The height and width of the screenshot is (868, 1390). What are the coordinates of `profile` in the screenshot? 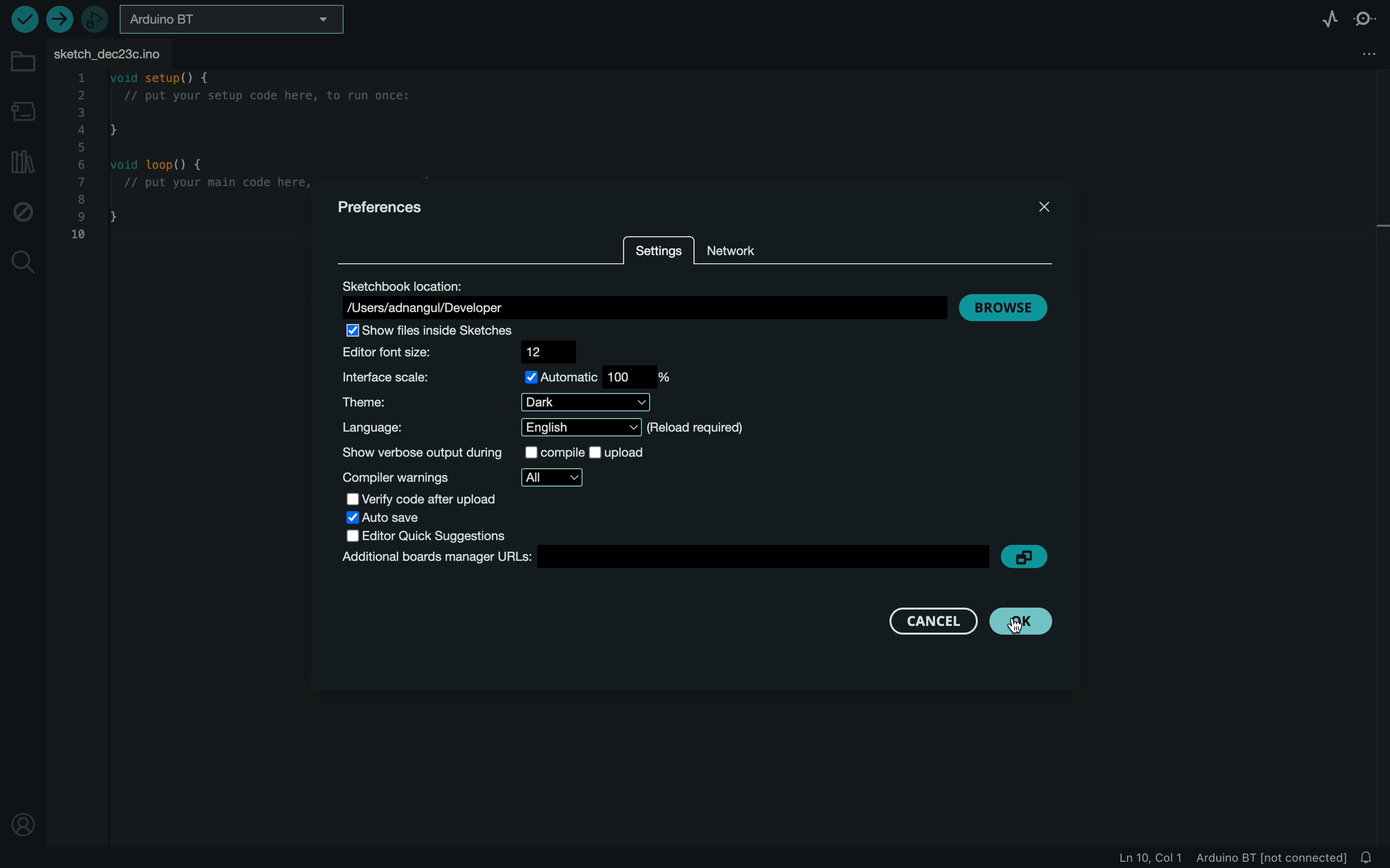 It's located at (22, 816).